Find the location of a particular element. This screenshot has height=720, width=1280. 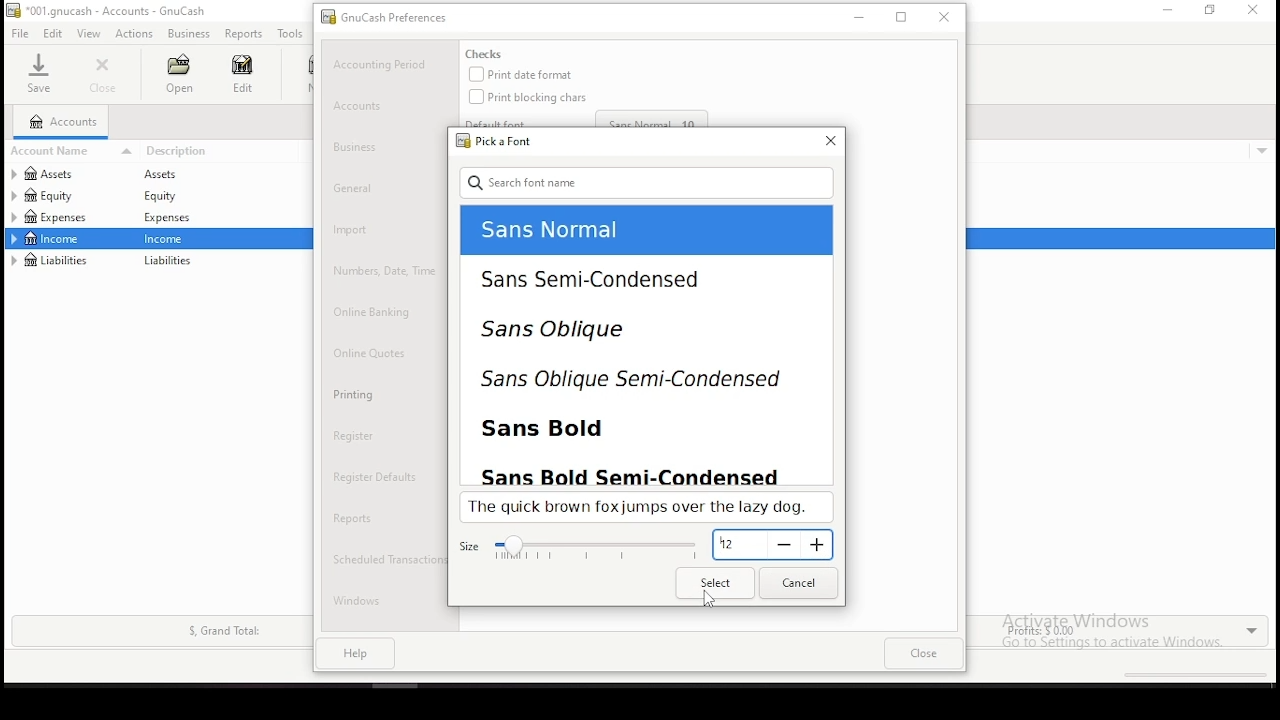

search fonts is located at coordinates (648, 182).